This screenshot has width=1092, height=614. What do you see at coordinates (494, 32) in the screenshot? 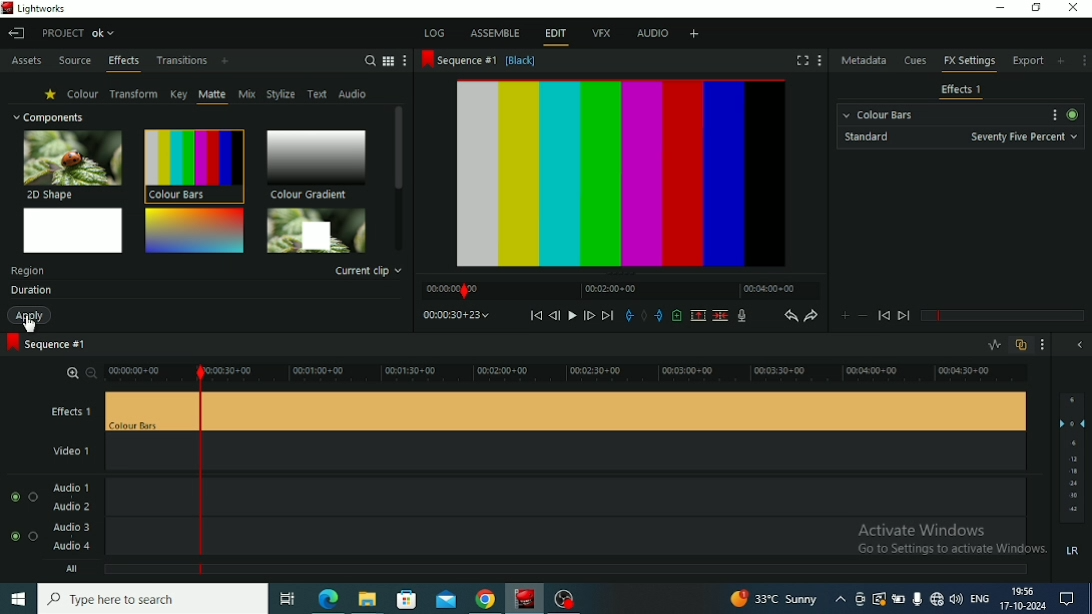
I see `Assemble` at bounding box center [494, 32].